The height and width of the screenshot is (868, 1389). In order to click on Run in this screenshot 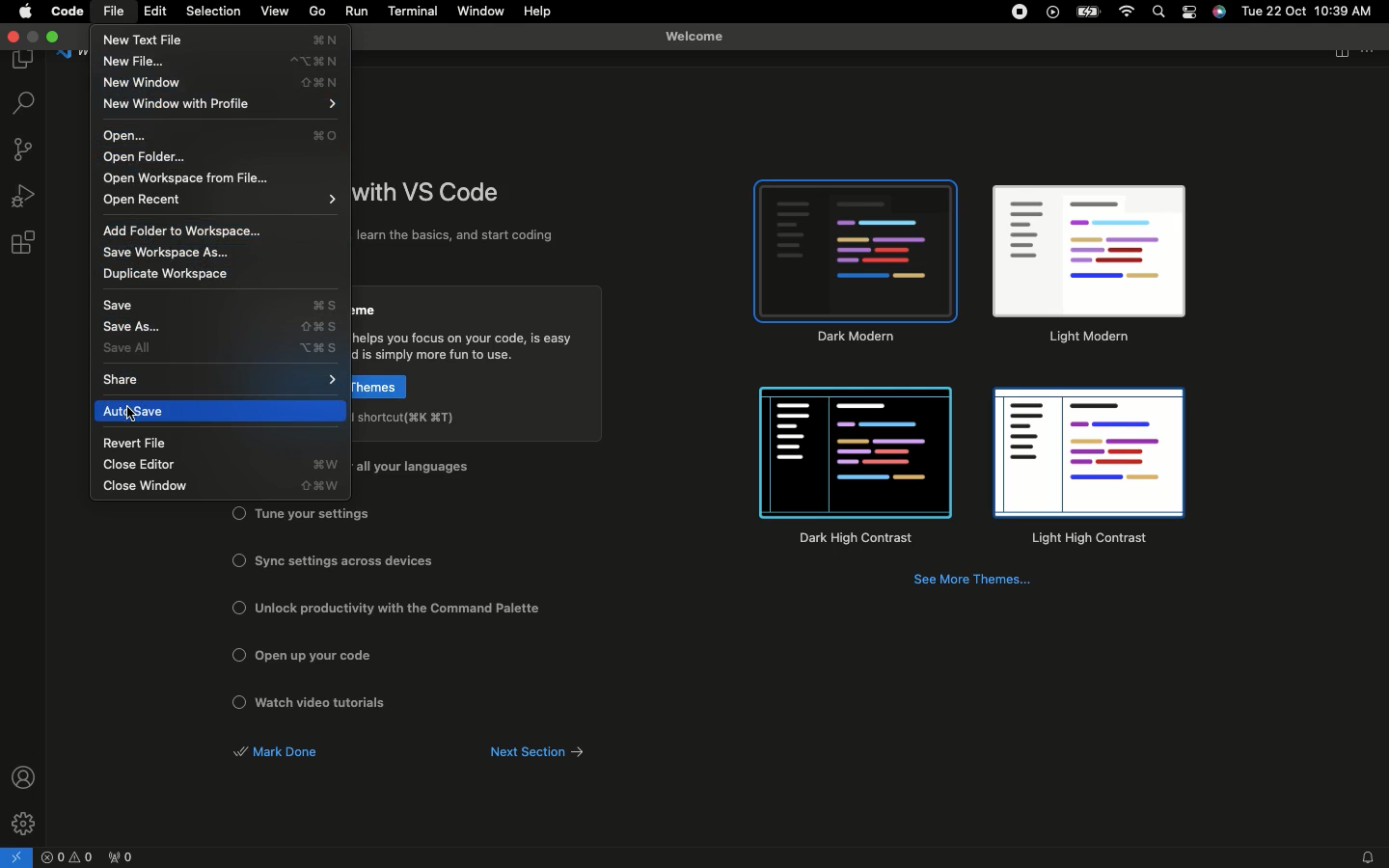, I will do `click(357, 14)`.